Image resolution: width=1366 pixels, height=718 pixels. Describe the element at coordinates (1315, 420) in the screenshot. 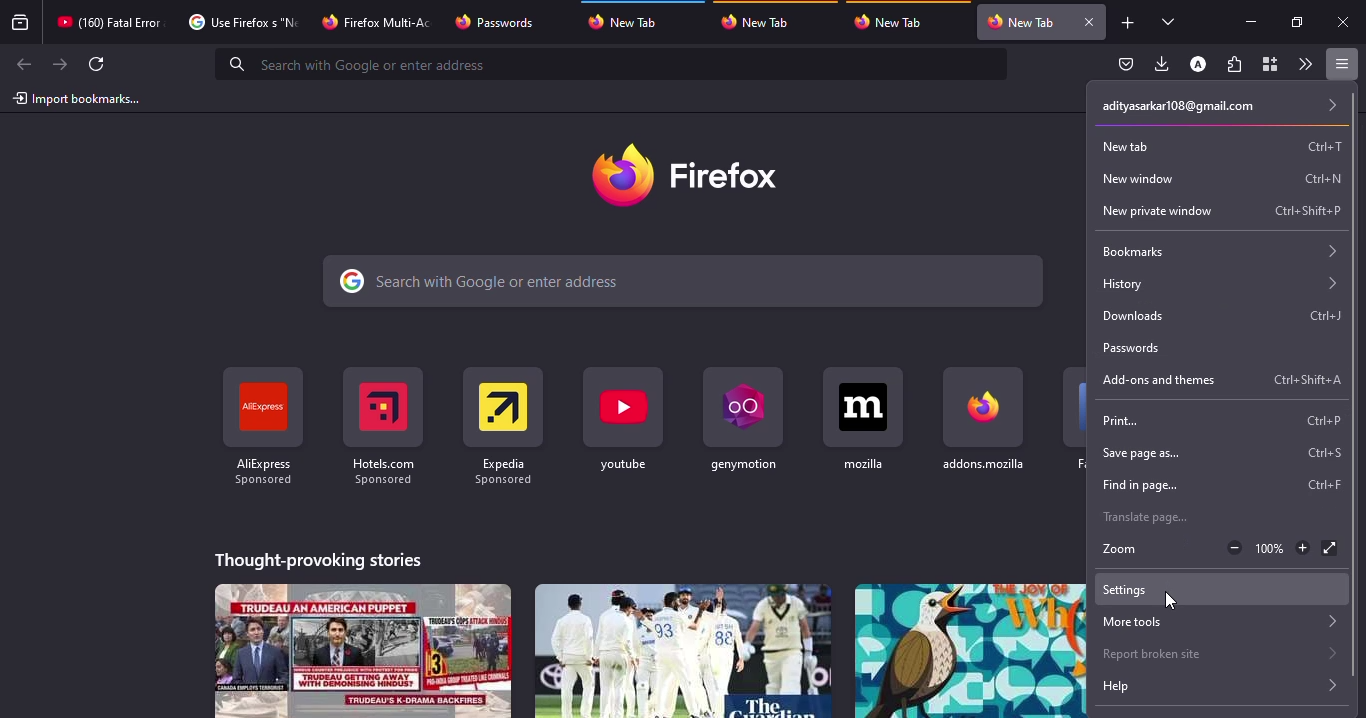

I see `shortcut` at that location.